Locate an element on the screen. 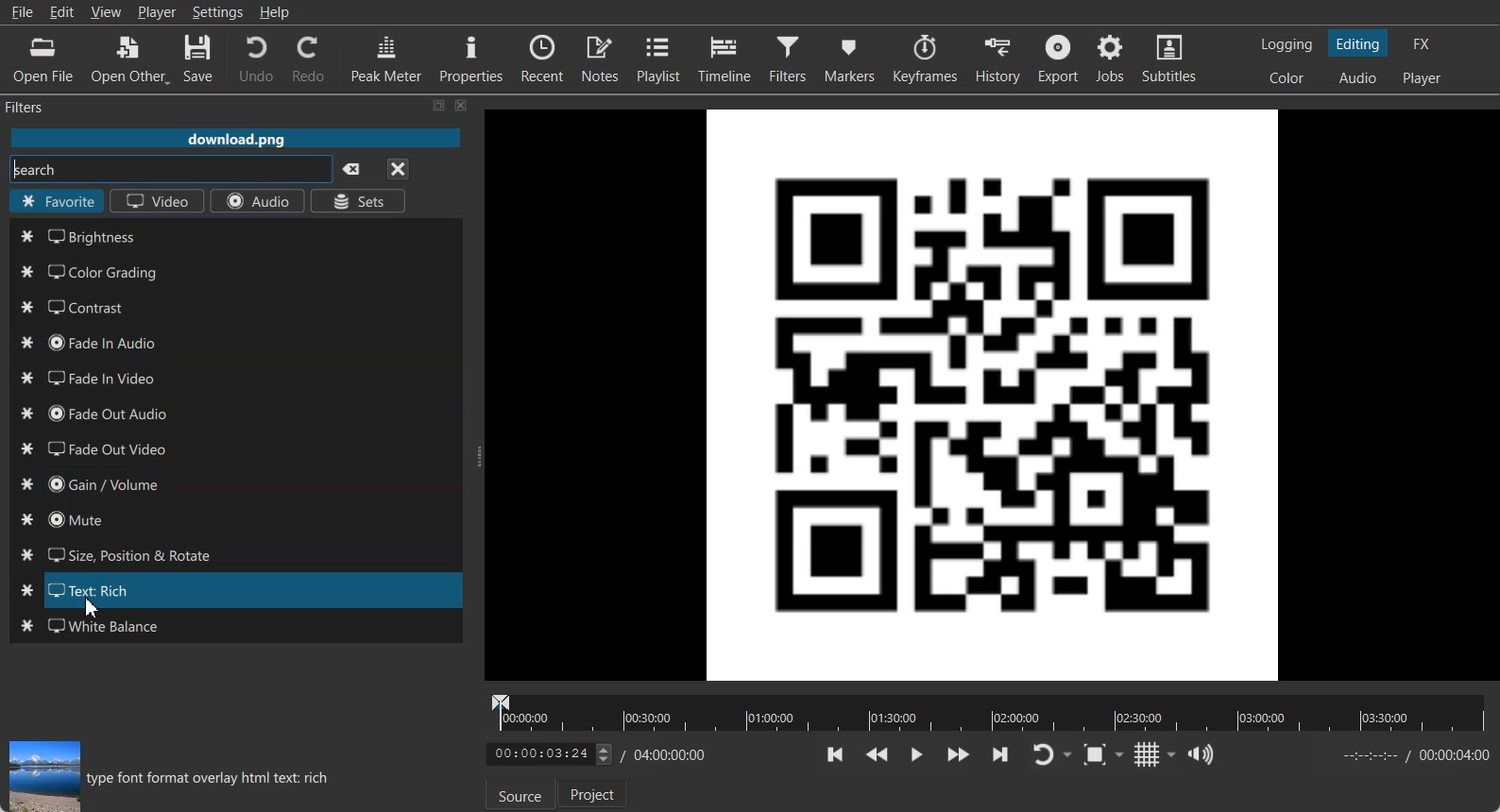  White Balance is located at coordinates (234, 627).